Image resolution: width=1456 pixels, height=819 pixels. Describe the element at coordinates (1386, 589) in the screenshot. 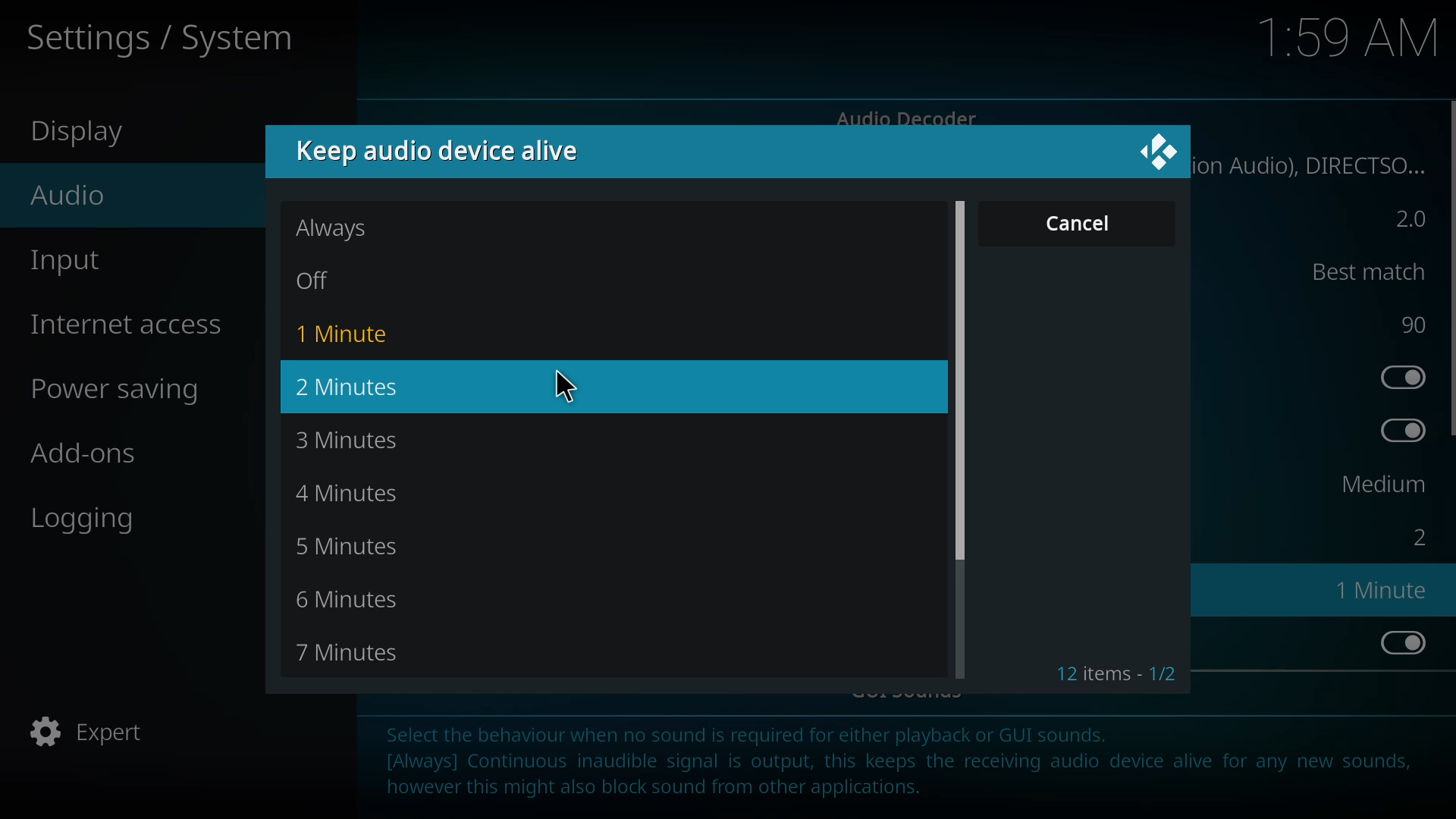

I see `1 minute` at that location.